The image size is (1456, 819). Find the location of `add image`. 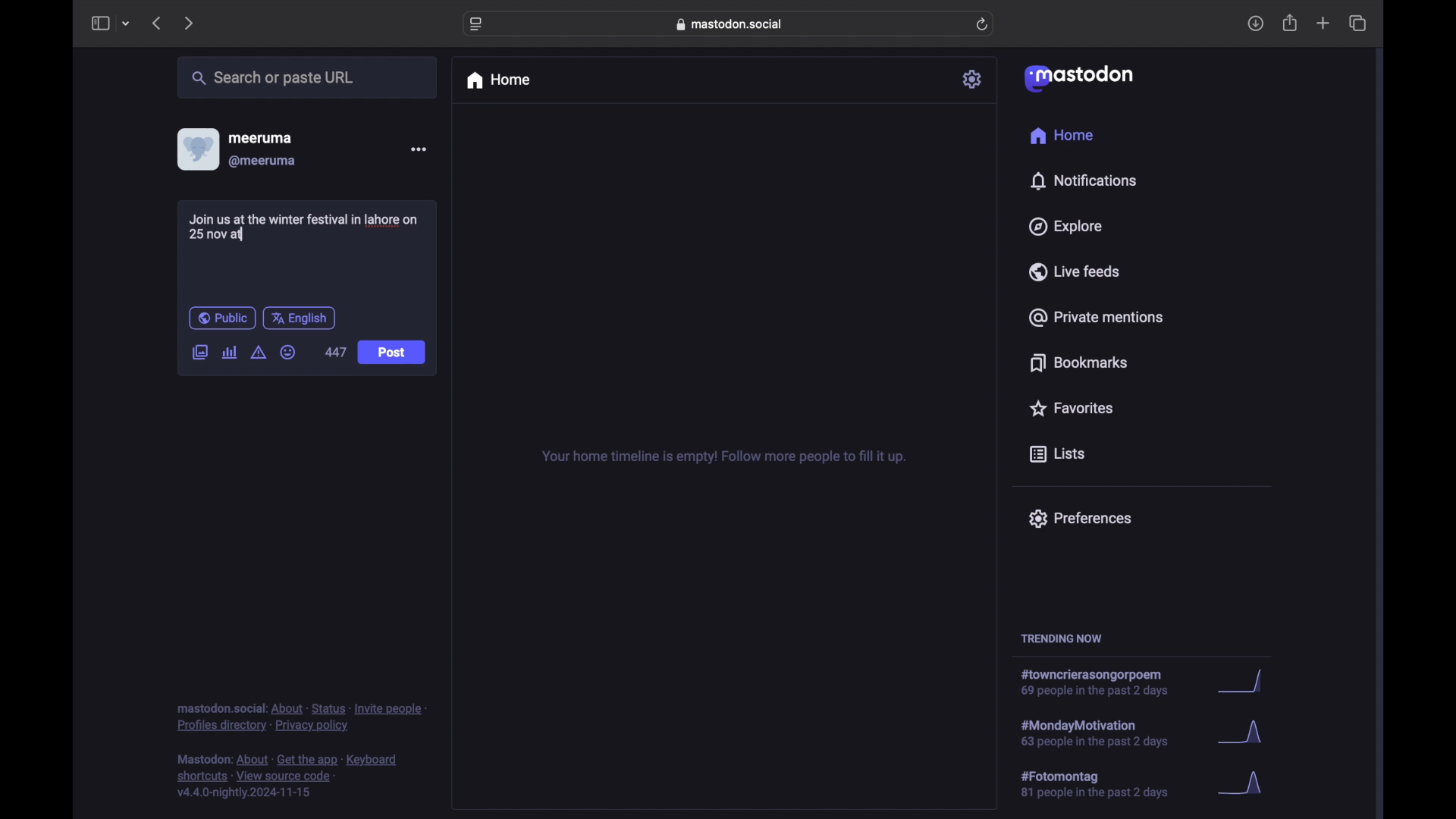

add image is located at coordinates (199, 353).